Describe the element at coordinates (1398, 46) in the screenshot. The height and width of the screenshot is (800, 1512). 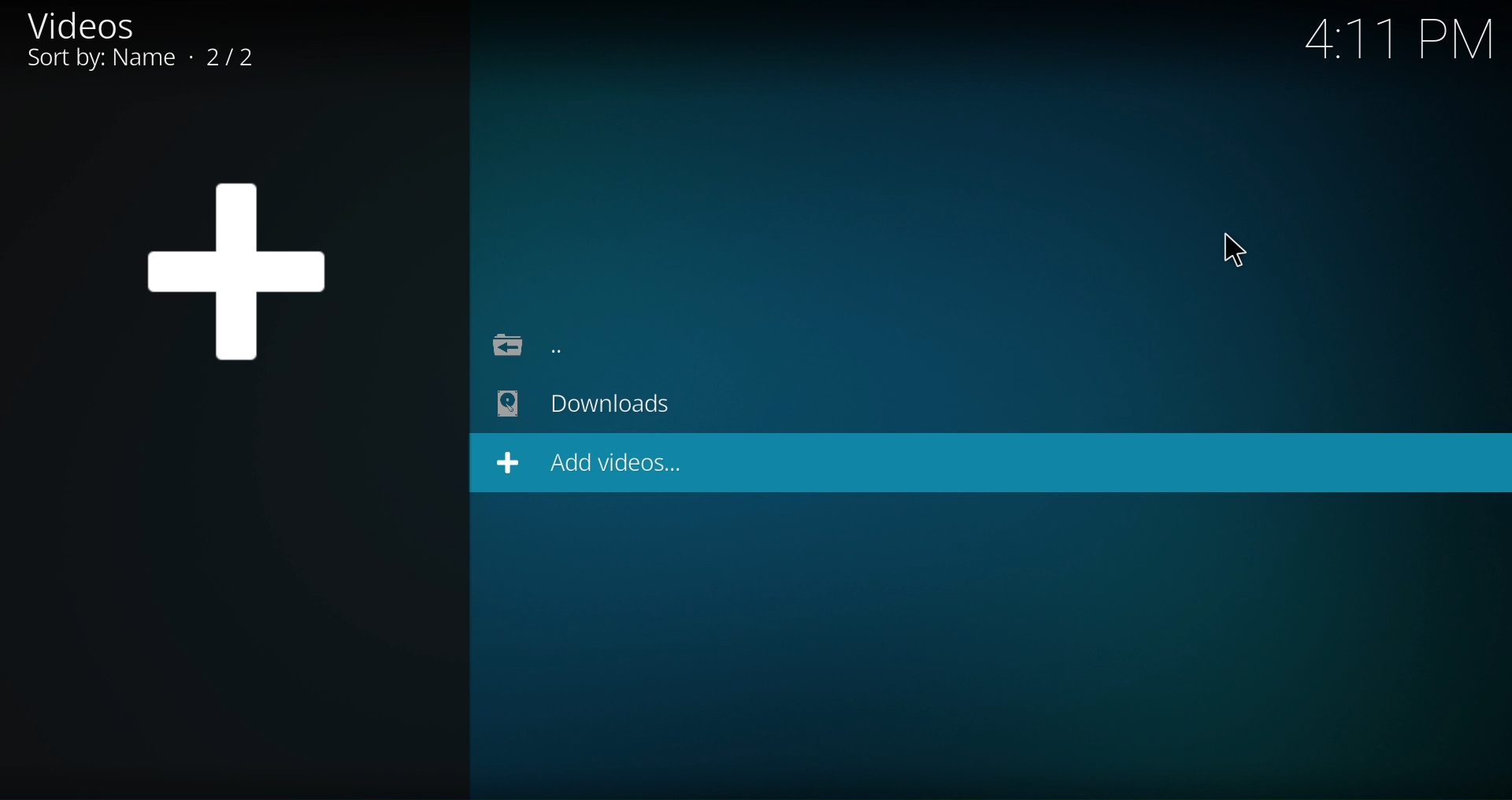
I see `4:11 PM` at that location.